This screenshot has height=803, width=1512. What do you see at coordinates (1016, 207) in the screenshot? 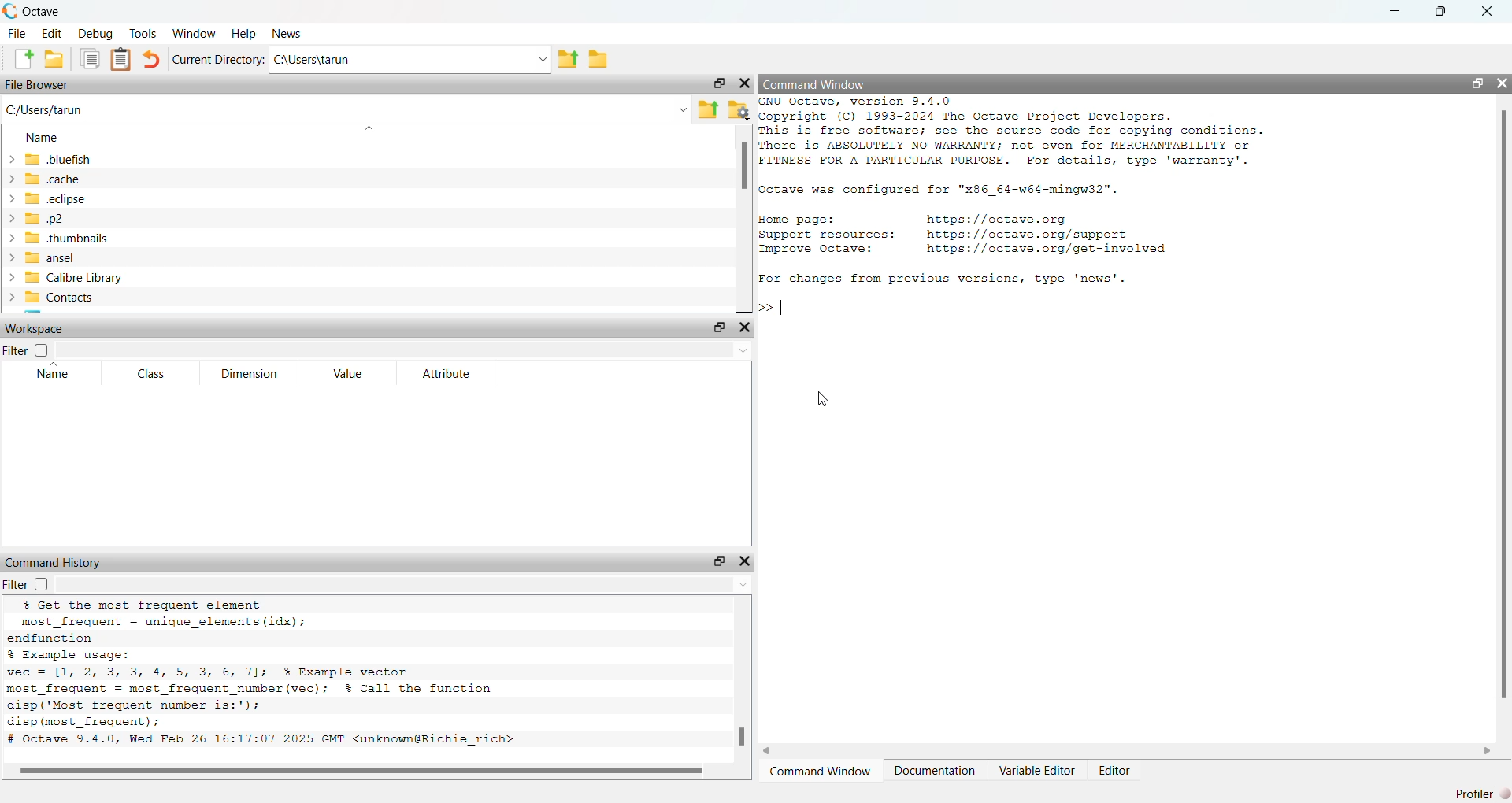
I see `GNU Octave, version 3.4.0

Copyright (C) 1993-2024 The Octave Project Developers.

This is free software; see the source code for copying conditions.
There is ABSOLUTELY NO WARRANTY; not even for MERCHANTABILITY or
FITNESS FOR A PARTICULAR PURPOSE. For details, type 'warranty'.
Octave was configured for "x86_64-w64-mingw32".

Home page: https: //octave.org

Support resources: https: //octave.org/support

Improve Octave: https: //octave.org/get-involved

For changes from previous versions, type 'news'.

ss` at bounding box center [1016, 207].